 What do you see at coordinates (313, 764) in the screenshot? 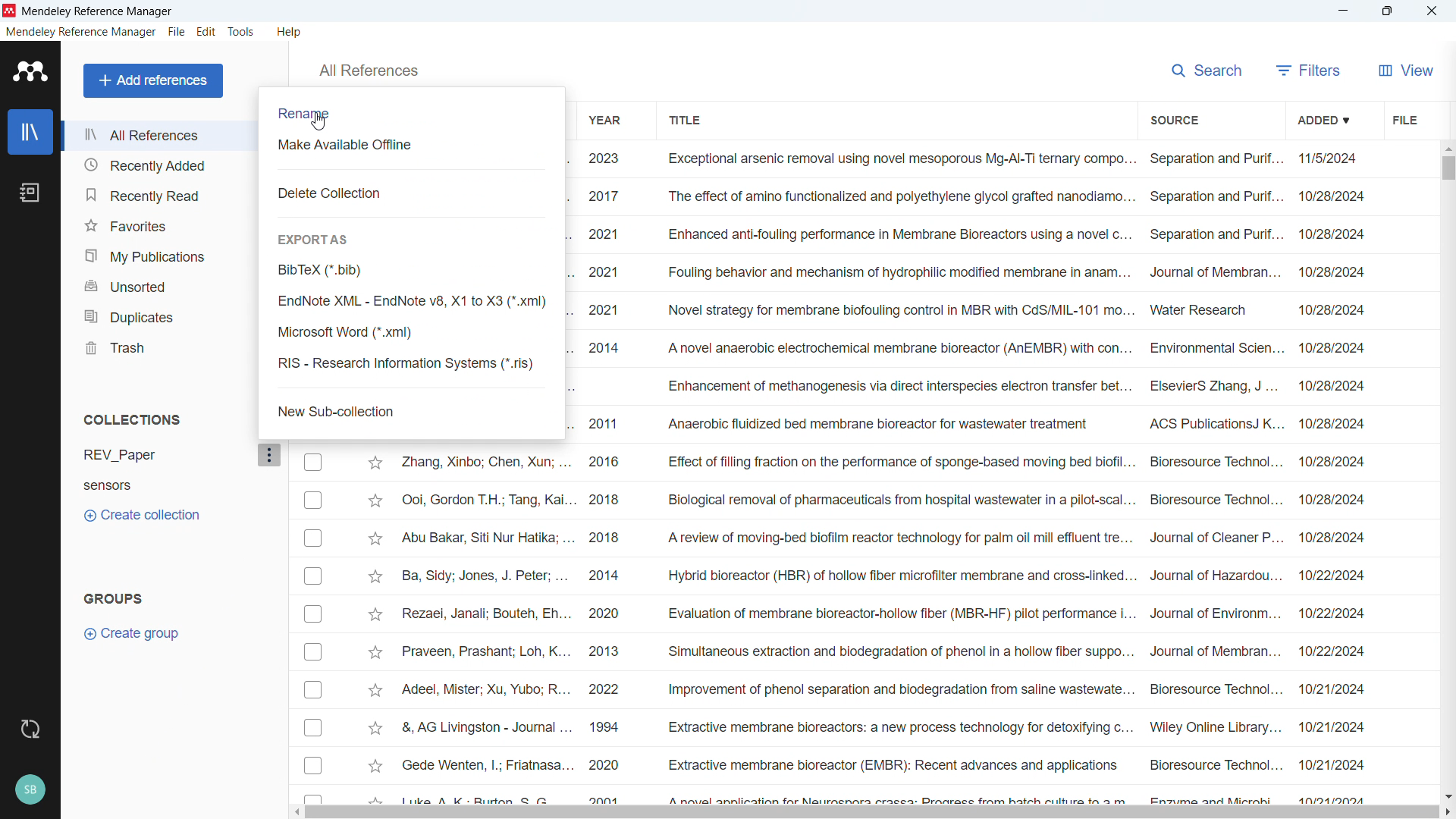
I see `Select respective publication` at bounding box center [313, 764].